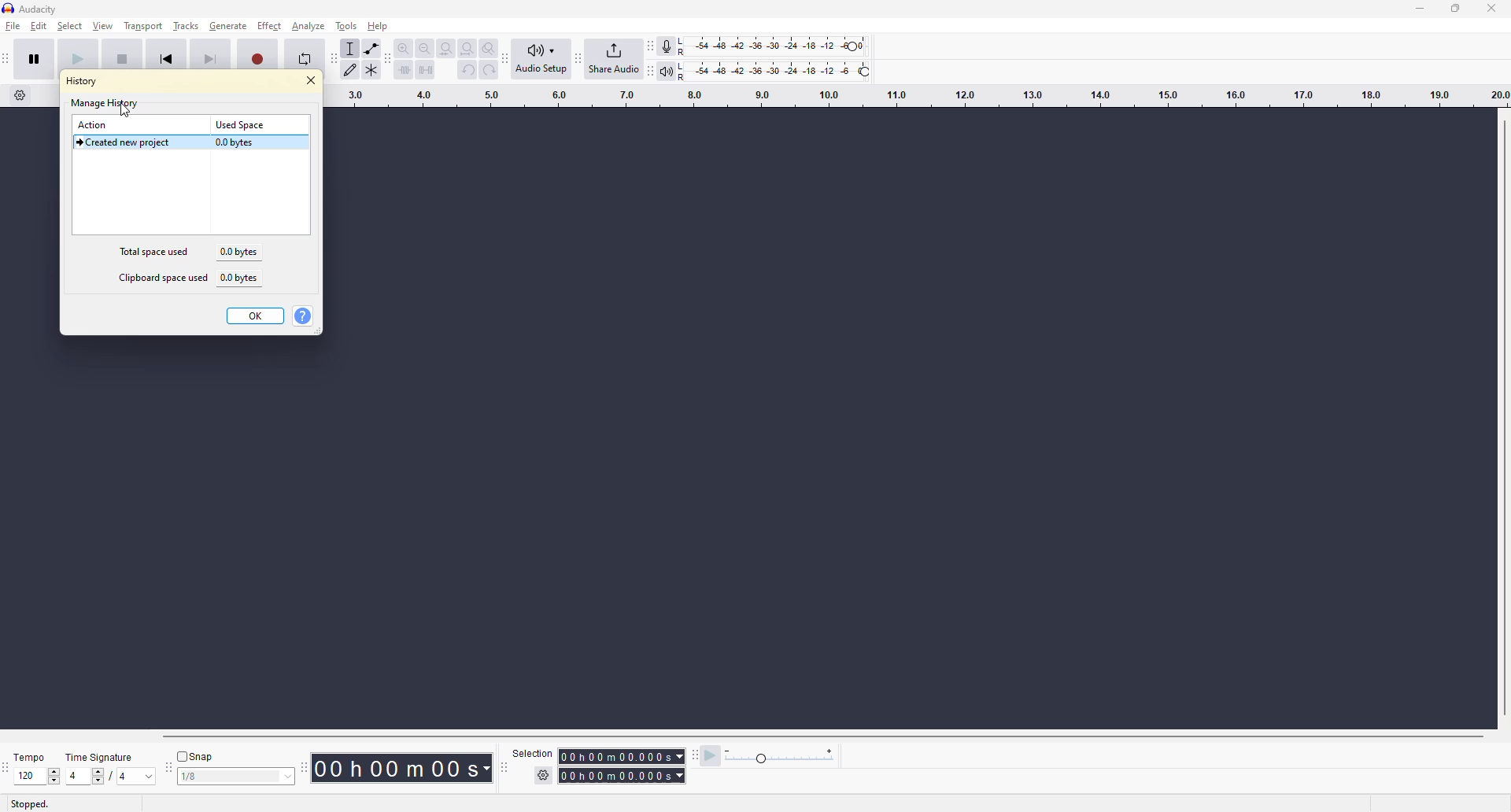 This screenshot has height=812, width=1511. What do you see at coordinates (238, 142) in the screenshot?
I see `0.0 bytes` at bounding box center [238, 142].